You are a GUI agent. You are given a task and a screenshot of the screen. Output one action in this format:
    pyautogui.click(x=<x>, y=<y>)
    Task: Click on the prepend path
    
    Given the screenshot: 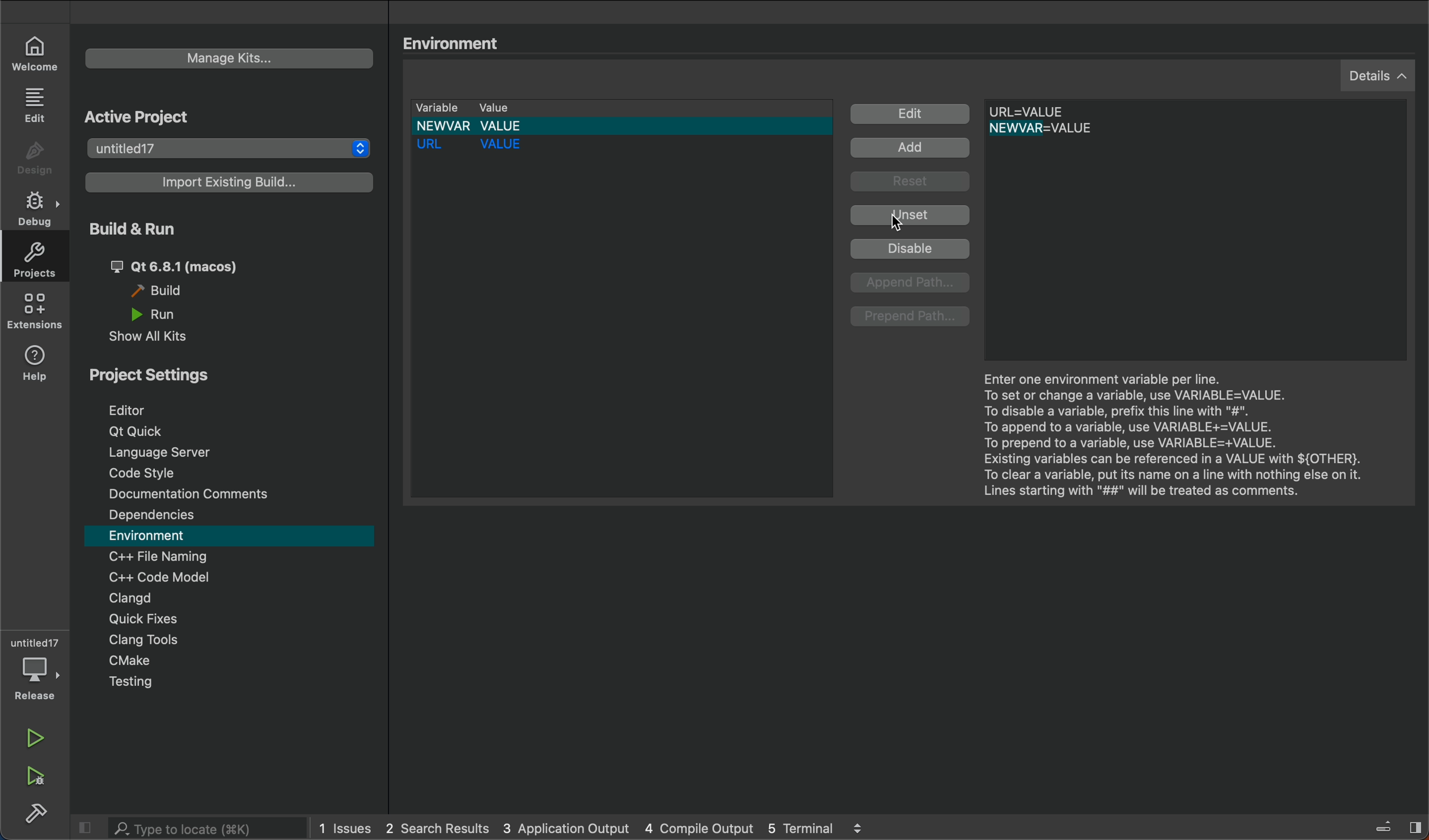 What is the action you would take?
    pyautogui.click(x=910, y=318)
    